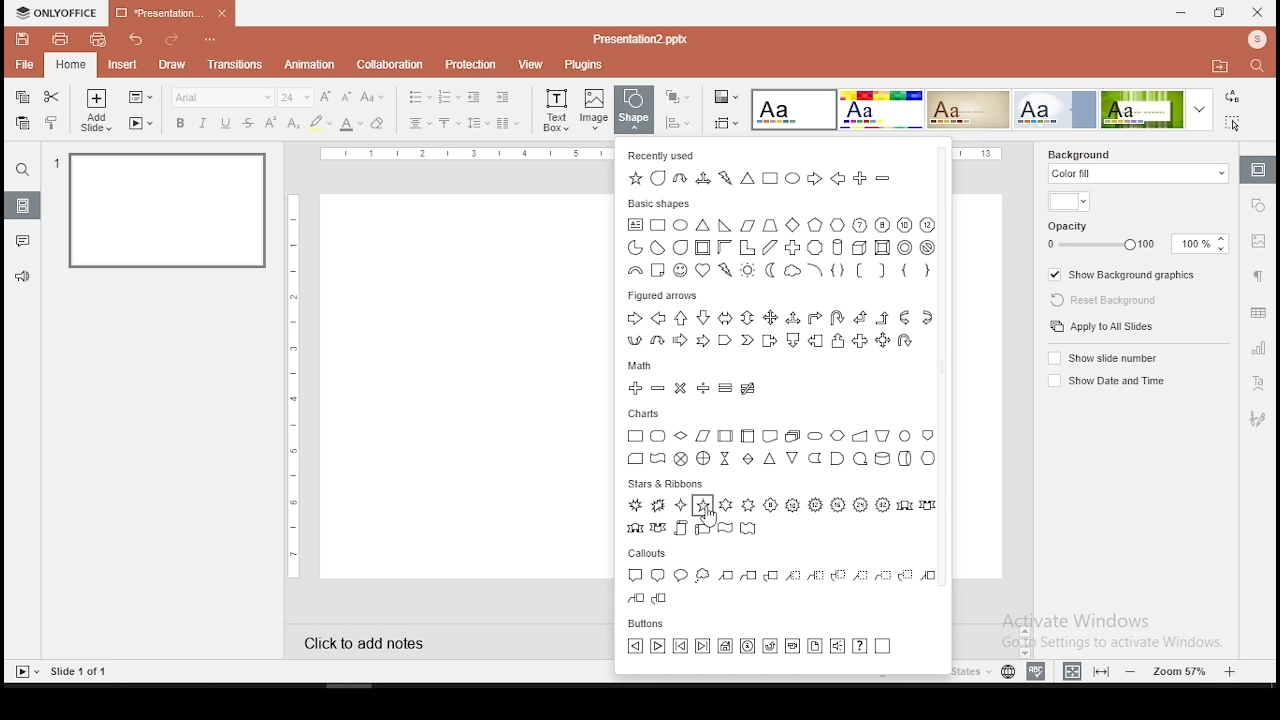  I want to click on support and feedback, so click(23, 277).